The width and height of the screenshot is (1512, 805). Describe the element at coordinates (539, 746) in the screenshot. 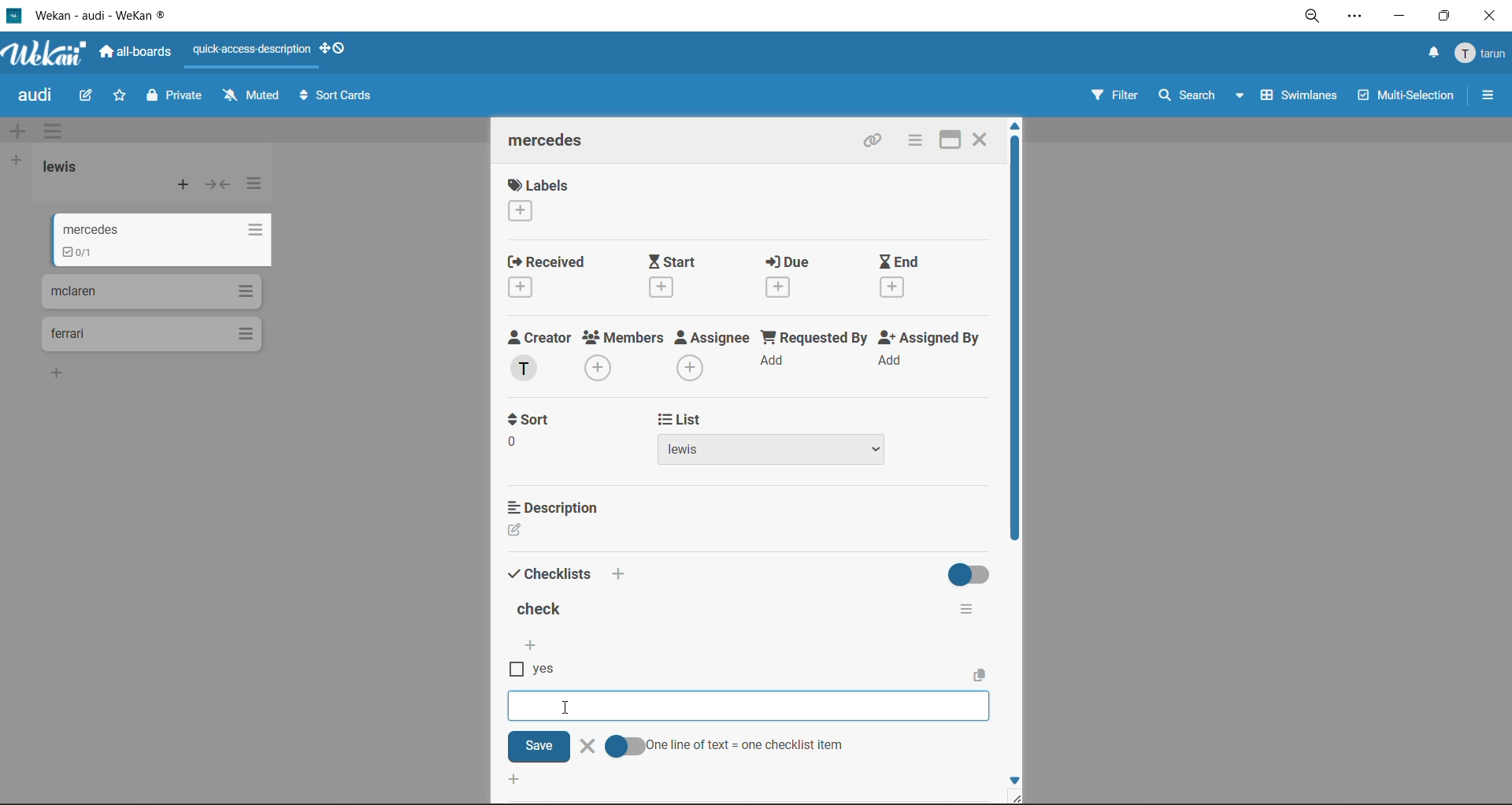

I see `save` at that location.